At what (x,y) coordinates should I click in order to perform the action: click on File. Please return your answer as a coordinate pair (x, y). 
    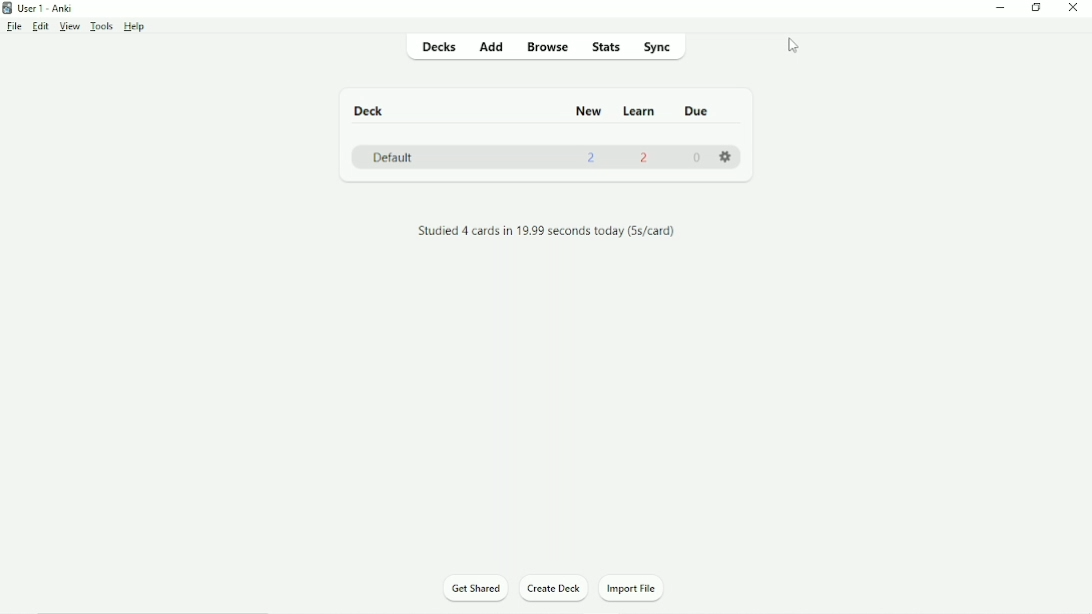
    Looking at the image, I should click on (14, 27).